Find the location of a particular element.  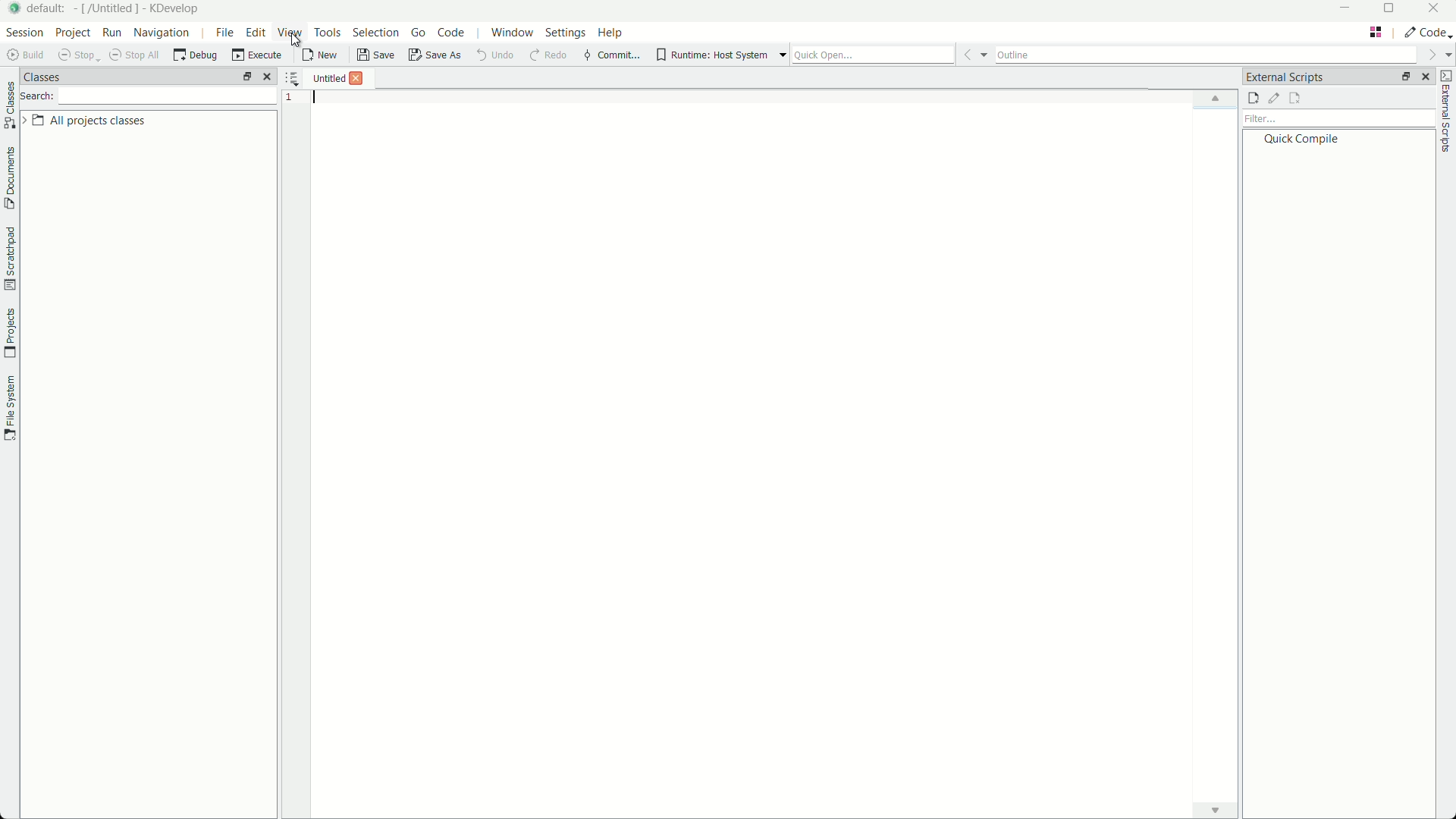

cursor is located at coordinates (295, 44).